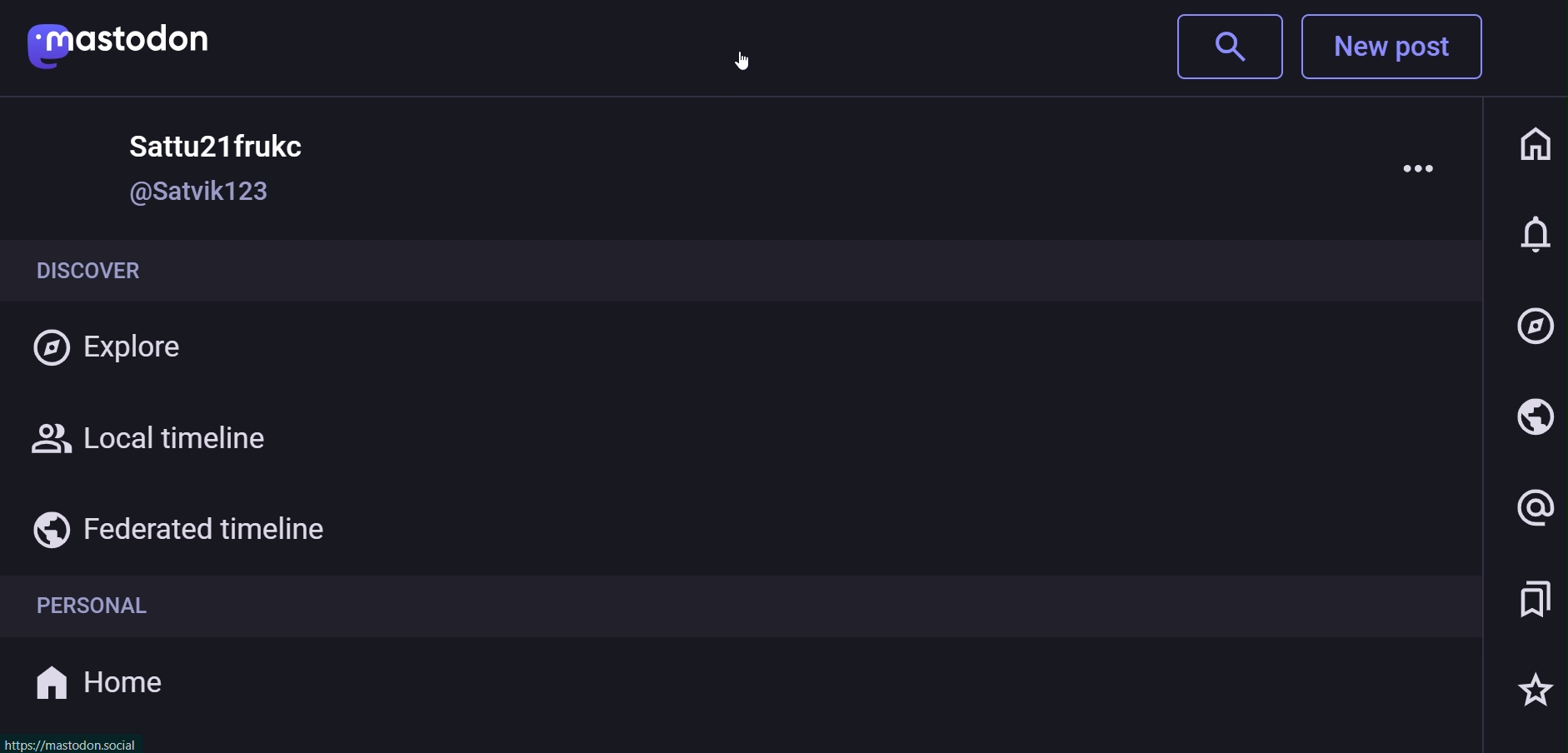  What do you see at coordinates (177, 527) in the screenshot?
I see `federated timeline` at bounding box center [177, 527].